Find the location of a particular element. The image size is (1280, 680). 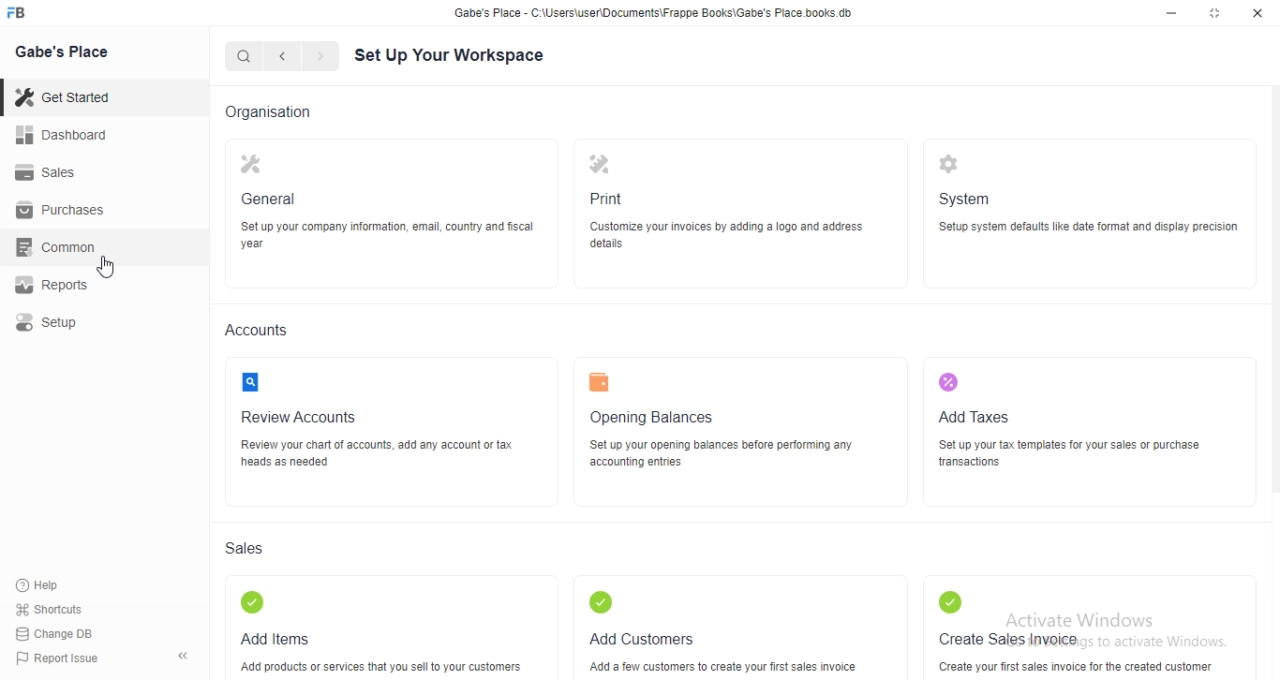

Create your first sales invoice for the created customer is located at coordinates (1076, 667).